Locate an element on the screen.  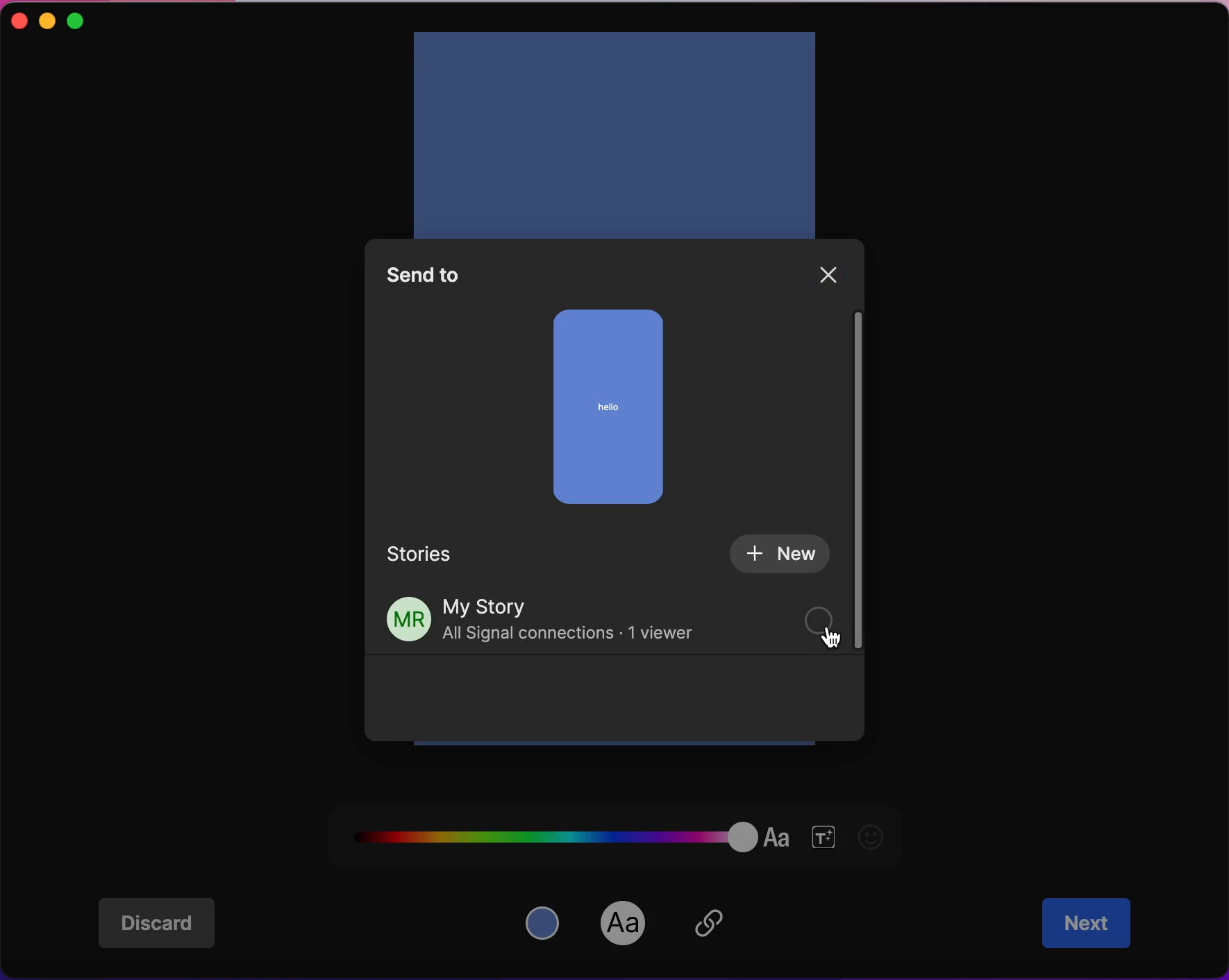
discard is located at coordinates (165, 924).